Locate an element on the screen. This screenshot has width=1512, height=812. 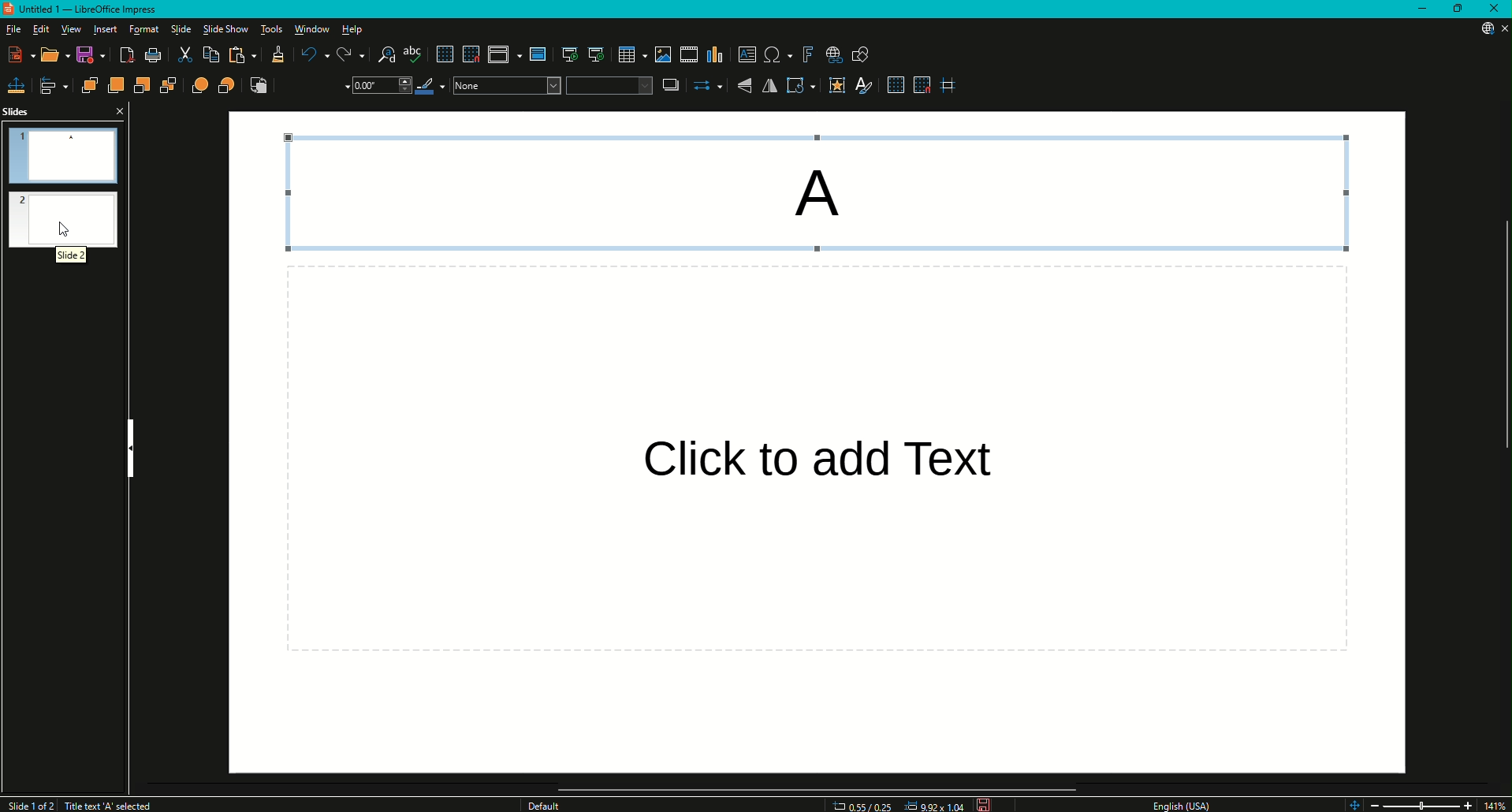
Line Style is located at coordinates (312, 87).